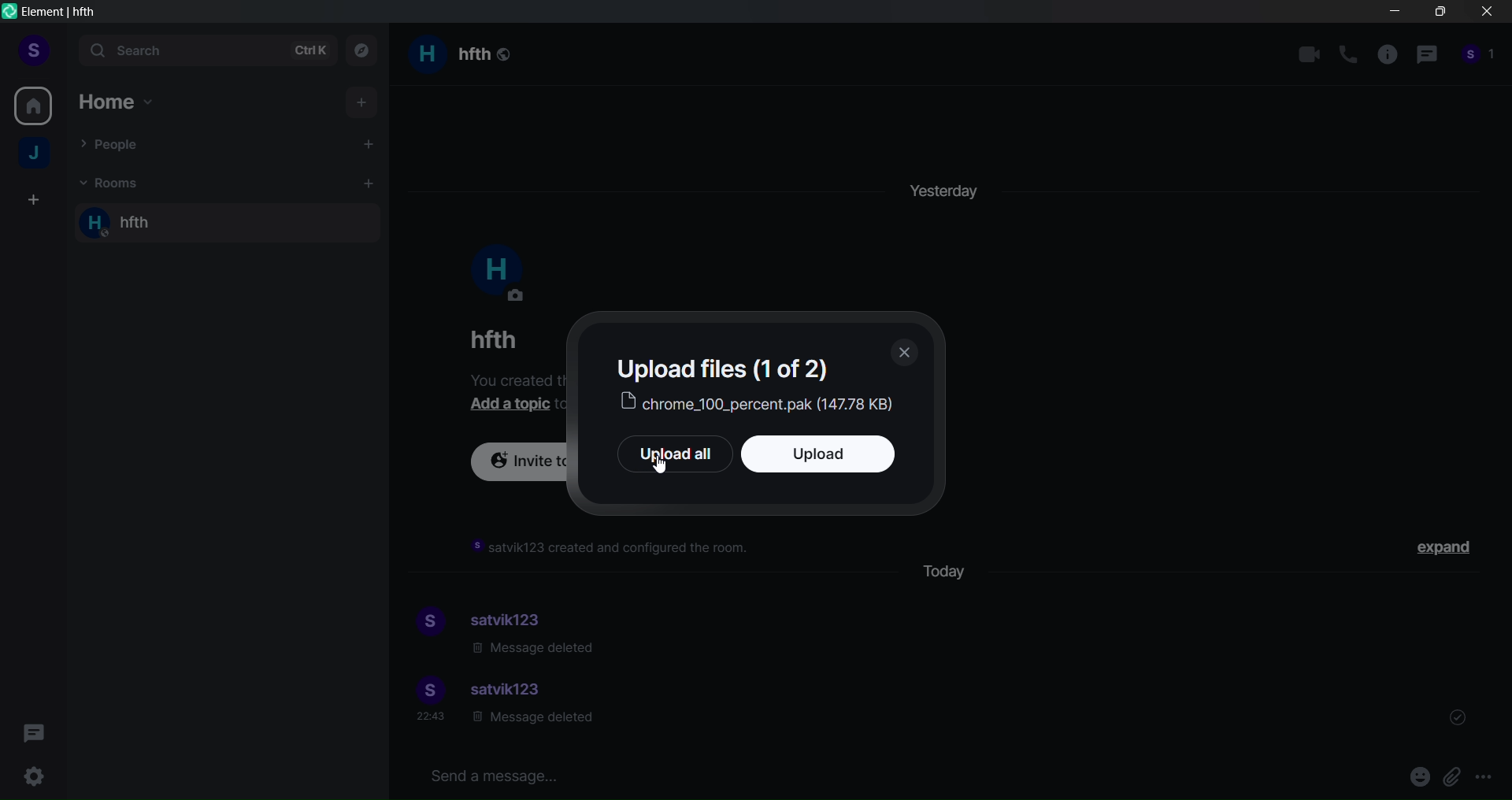 Image resolution: width=1512 pixels, height=800 pixels. What do you see at coordinates (836, 457) in the screenshot?
I see `upload` at bounding box center [836, 457].